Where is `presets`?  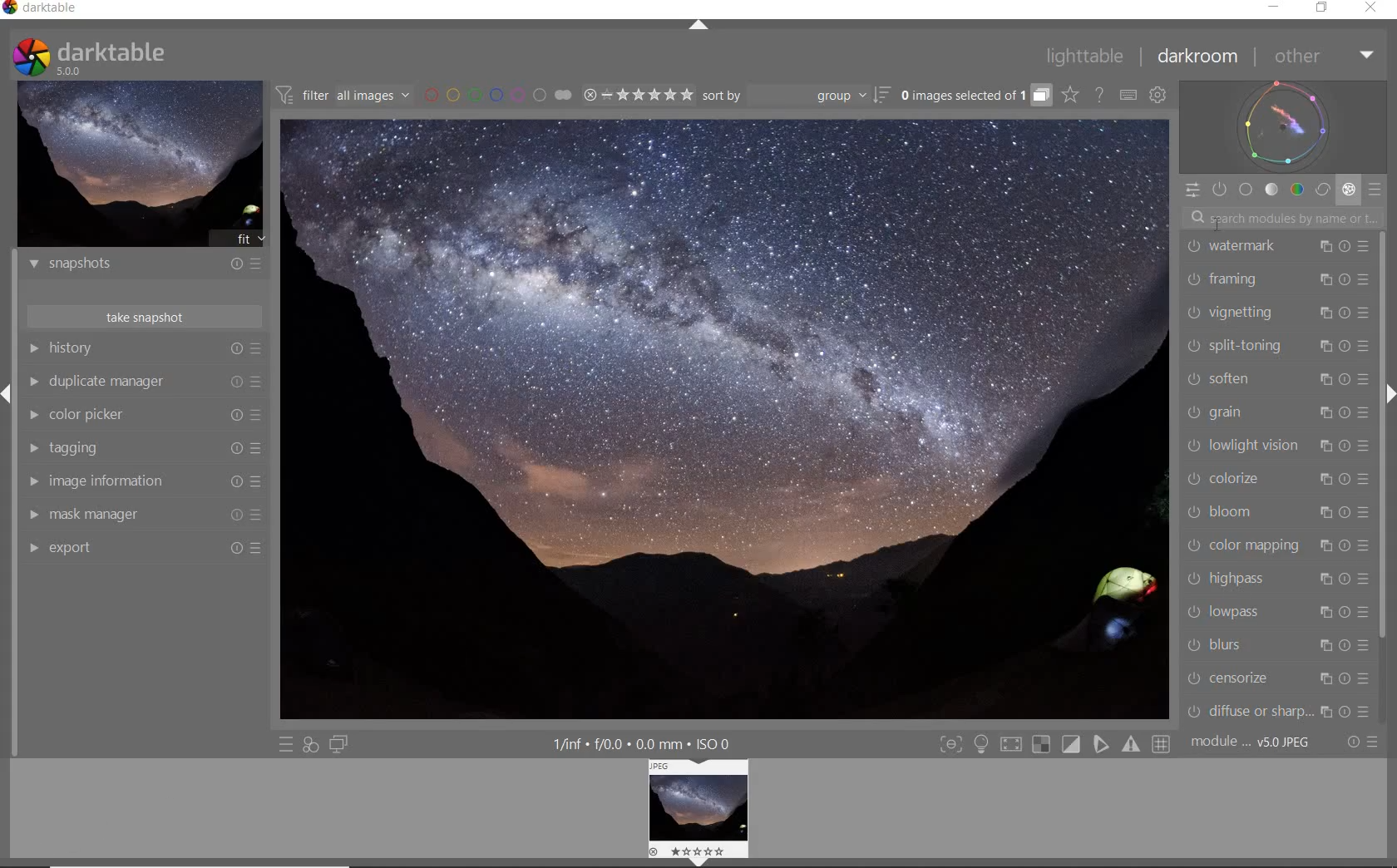 presets is located at coordinates (1366, 448).